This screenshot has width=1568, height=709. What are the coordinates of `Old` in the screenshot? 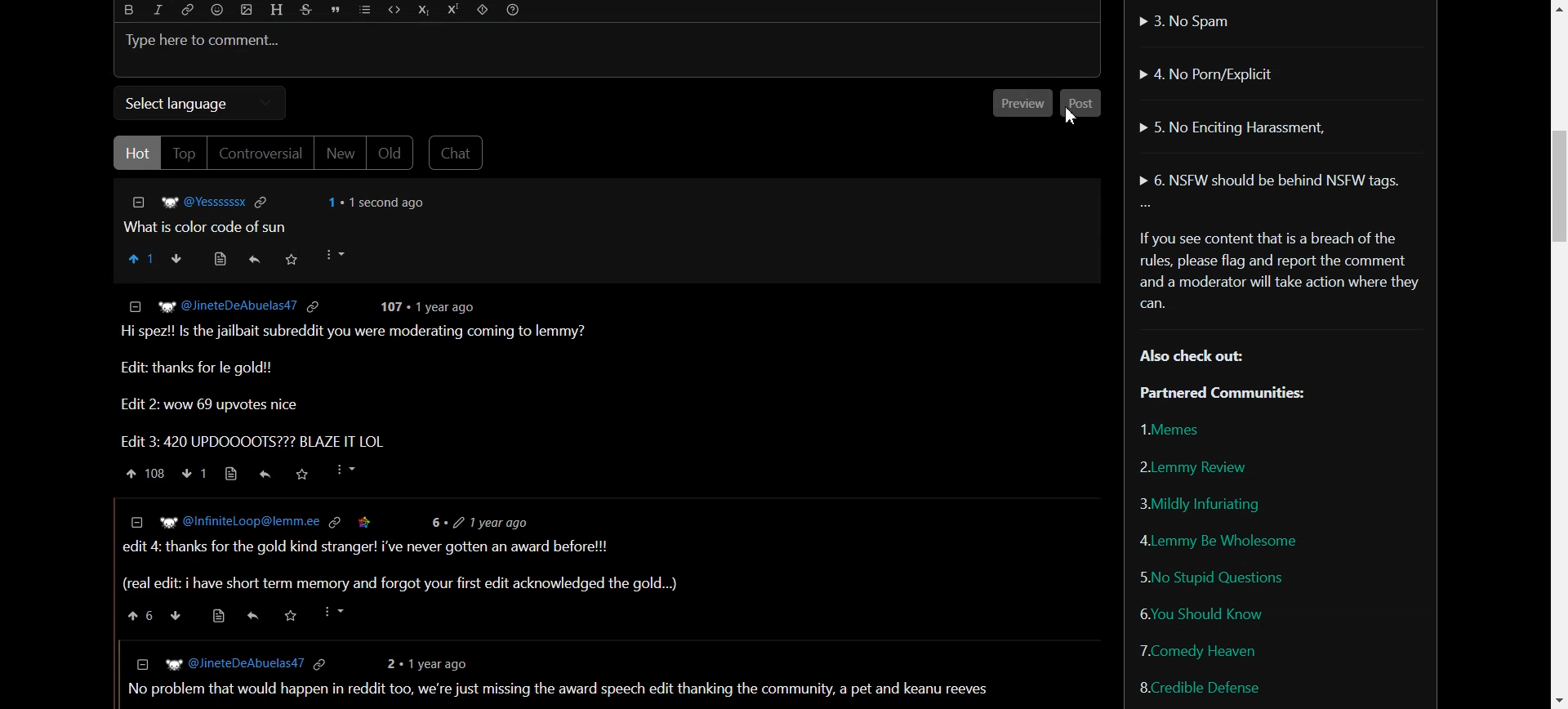 It's located at (392, 153).